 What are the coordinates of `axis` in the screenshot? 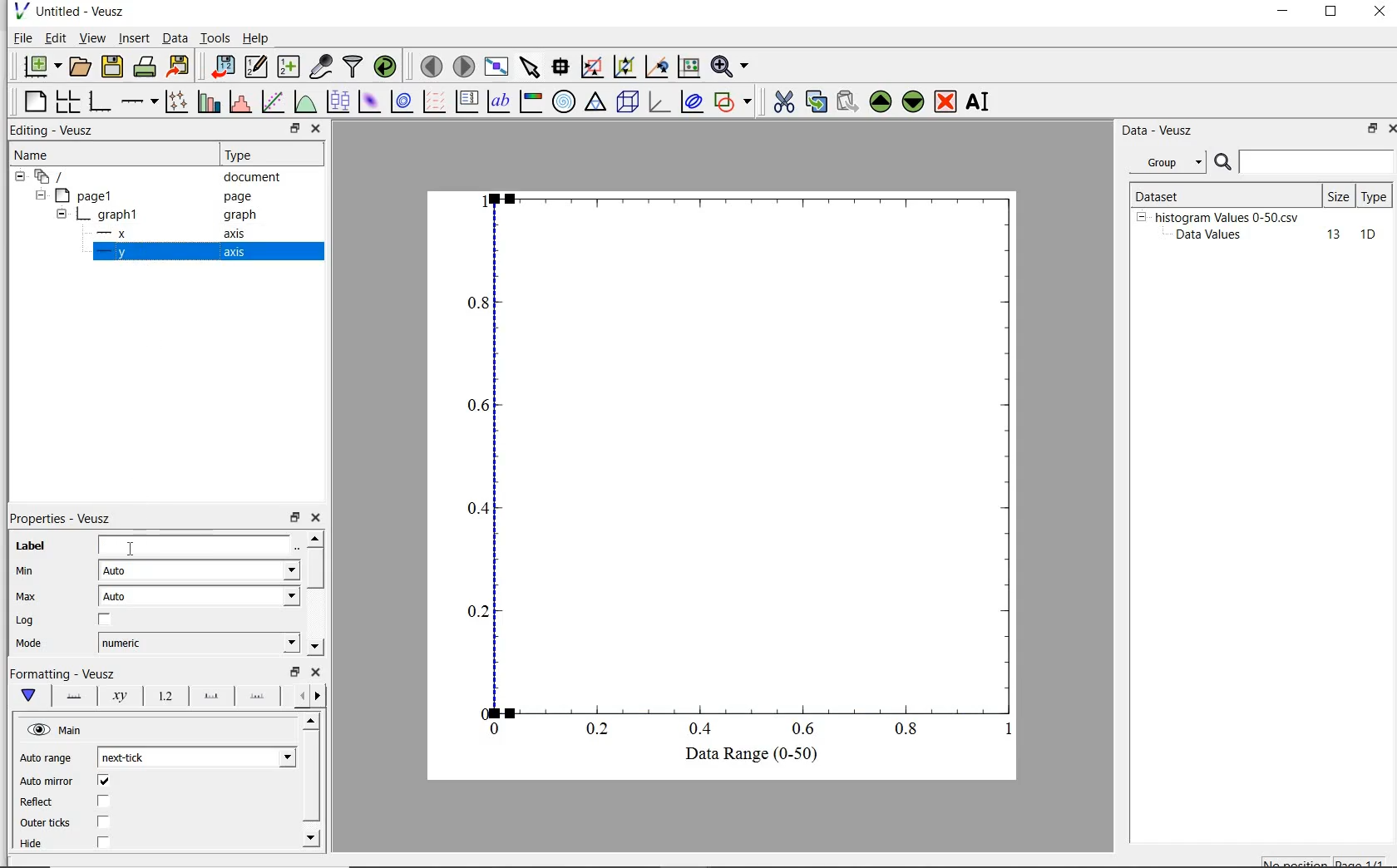 It's located at (241, 234).